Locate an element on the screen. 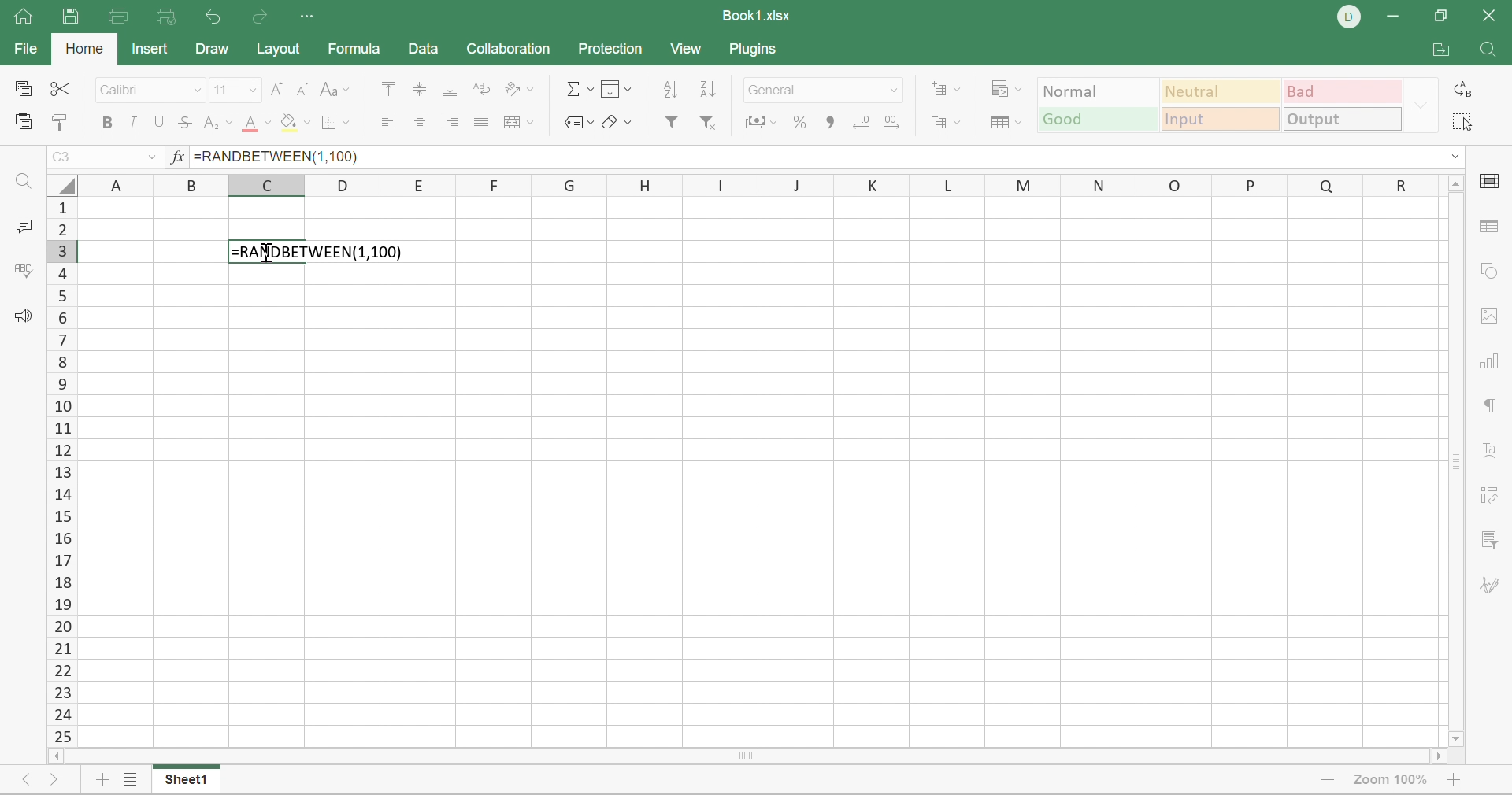 The image size is (1512, 795). Open file location is located at coordinates (1440, 49).